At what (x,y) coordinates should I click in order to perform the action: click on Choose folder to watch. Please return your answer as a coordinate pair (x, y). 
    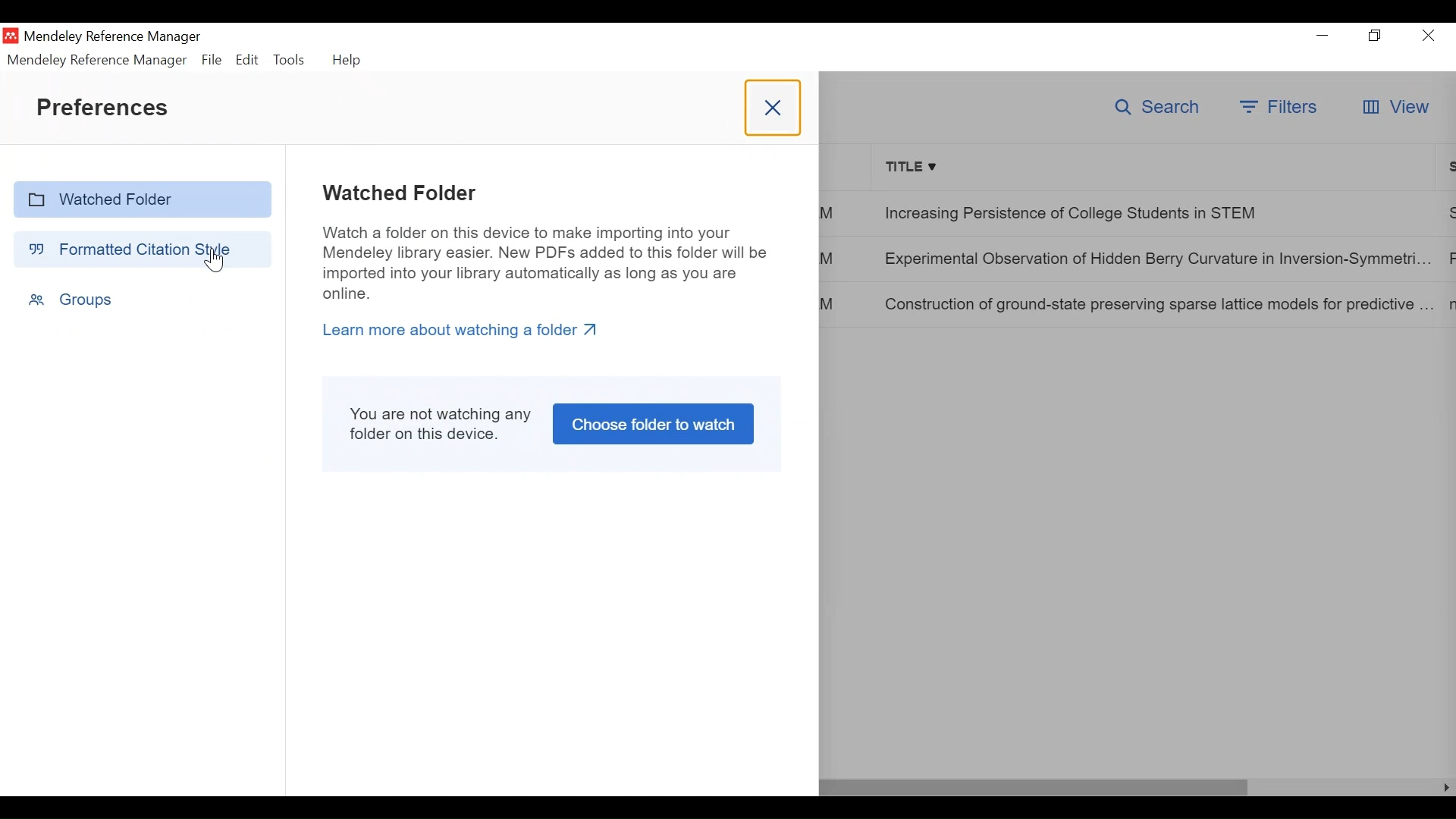
    Looking at the image, I should click on (652, 425).